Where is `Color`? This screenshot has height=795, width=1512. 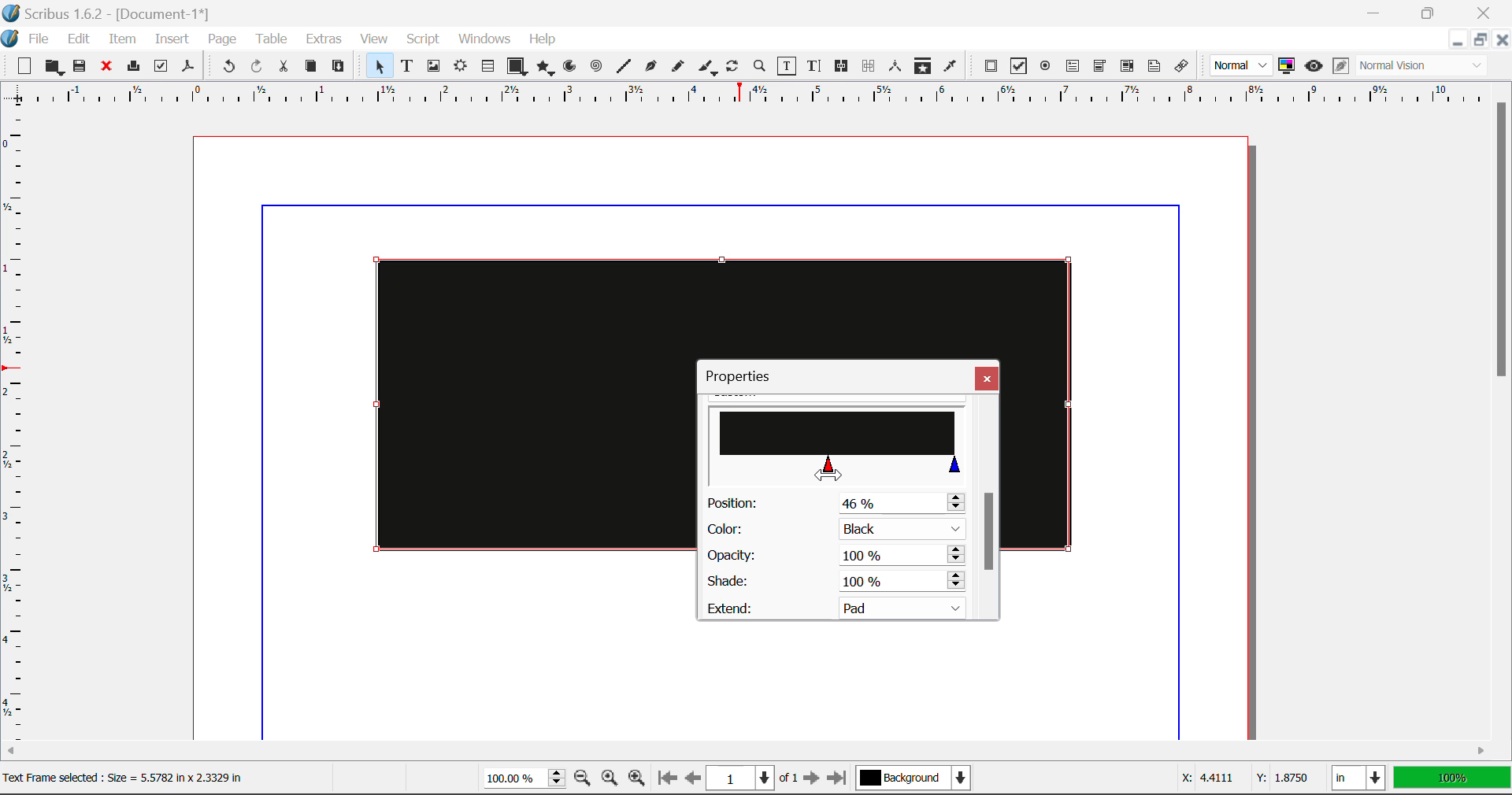
Color is located at coordinates (833, 530).